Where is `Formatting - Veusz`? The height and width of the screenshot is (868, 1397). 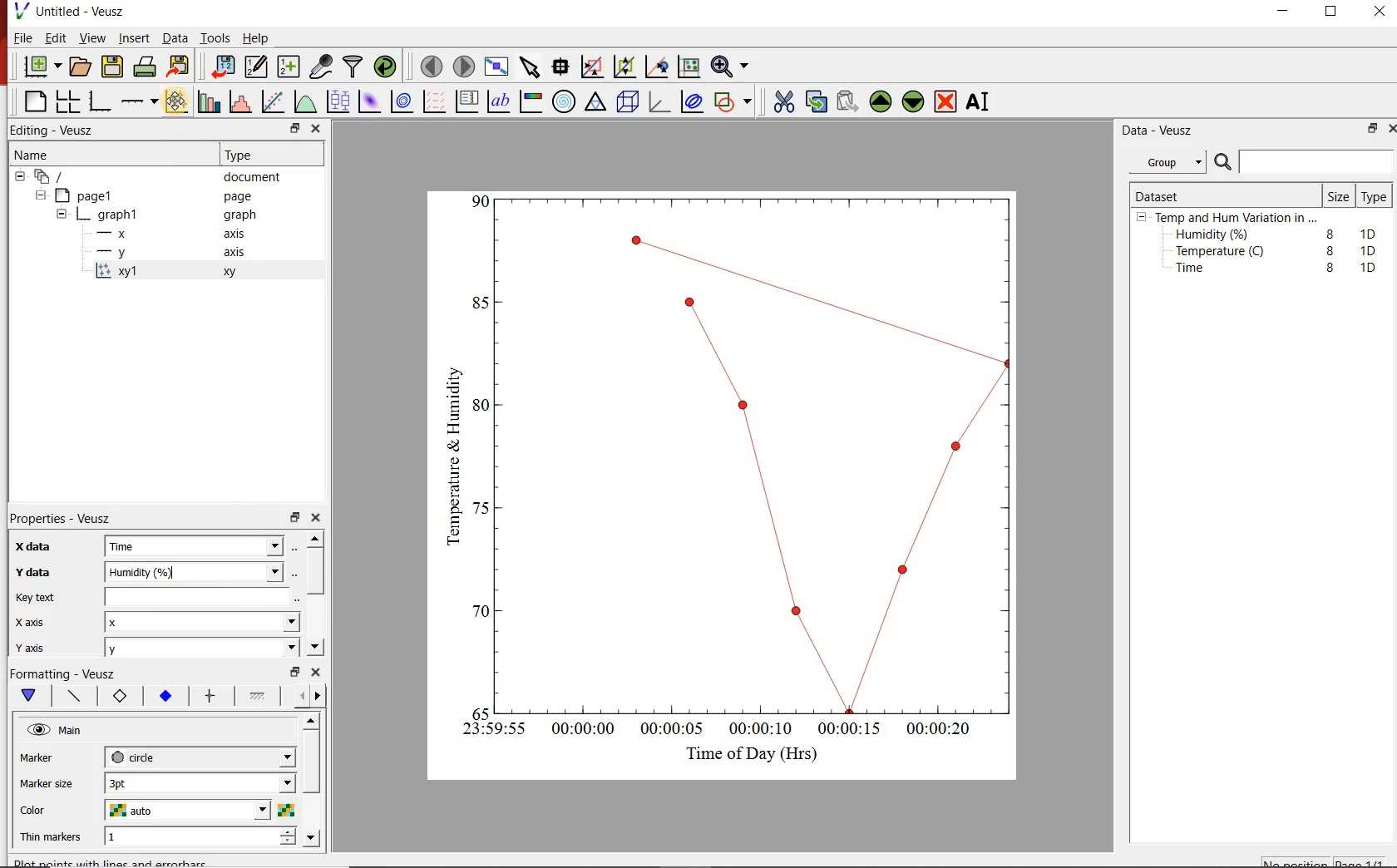
Formatting - Veusz is located at coordinates (67, 675).